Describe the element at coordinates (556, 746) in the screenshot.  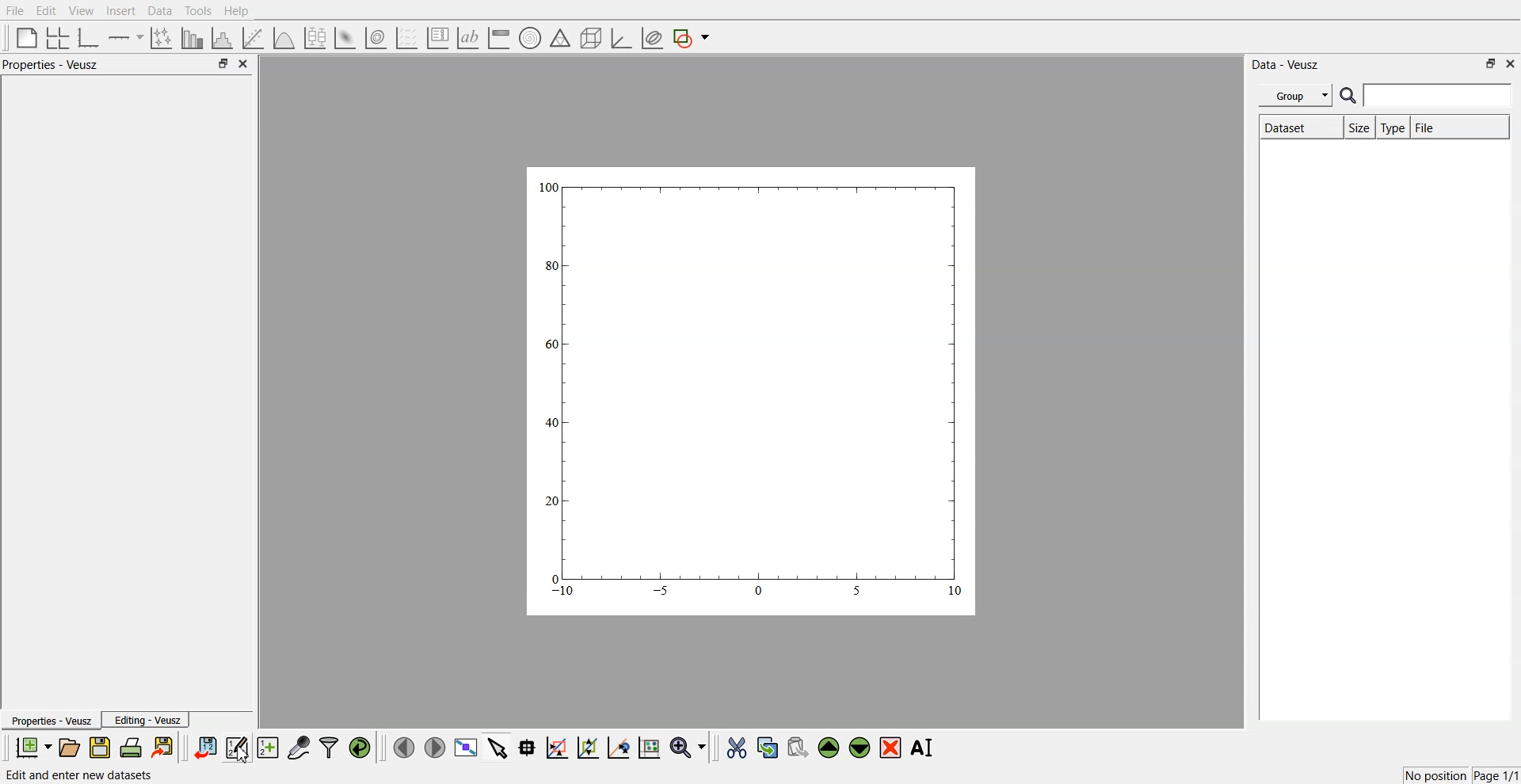
I see `draw a rectangle on zoom graph axes` at that location.